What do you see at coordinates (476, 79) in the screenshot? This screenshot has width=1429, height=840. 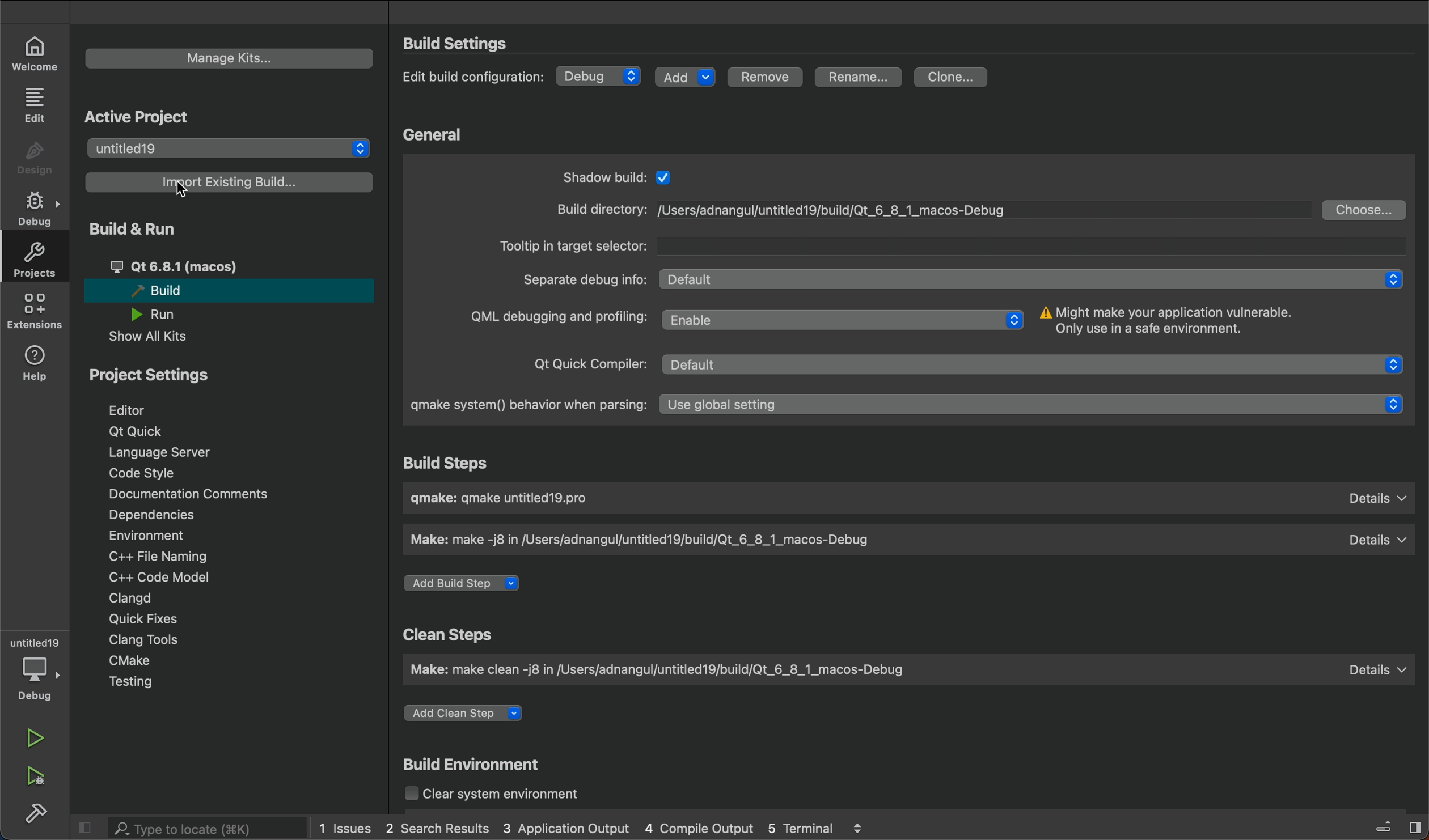 I see `edit build configuration ` at bounding box center [476, 79].